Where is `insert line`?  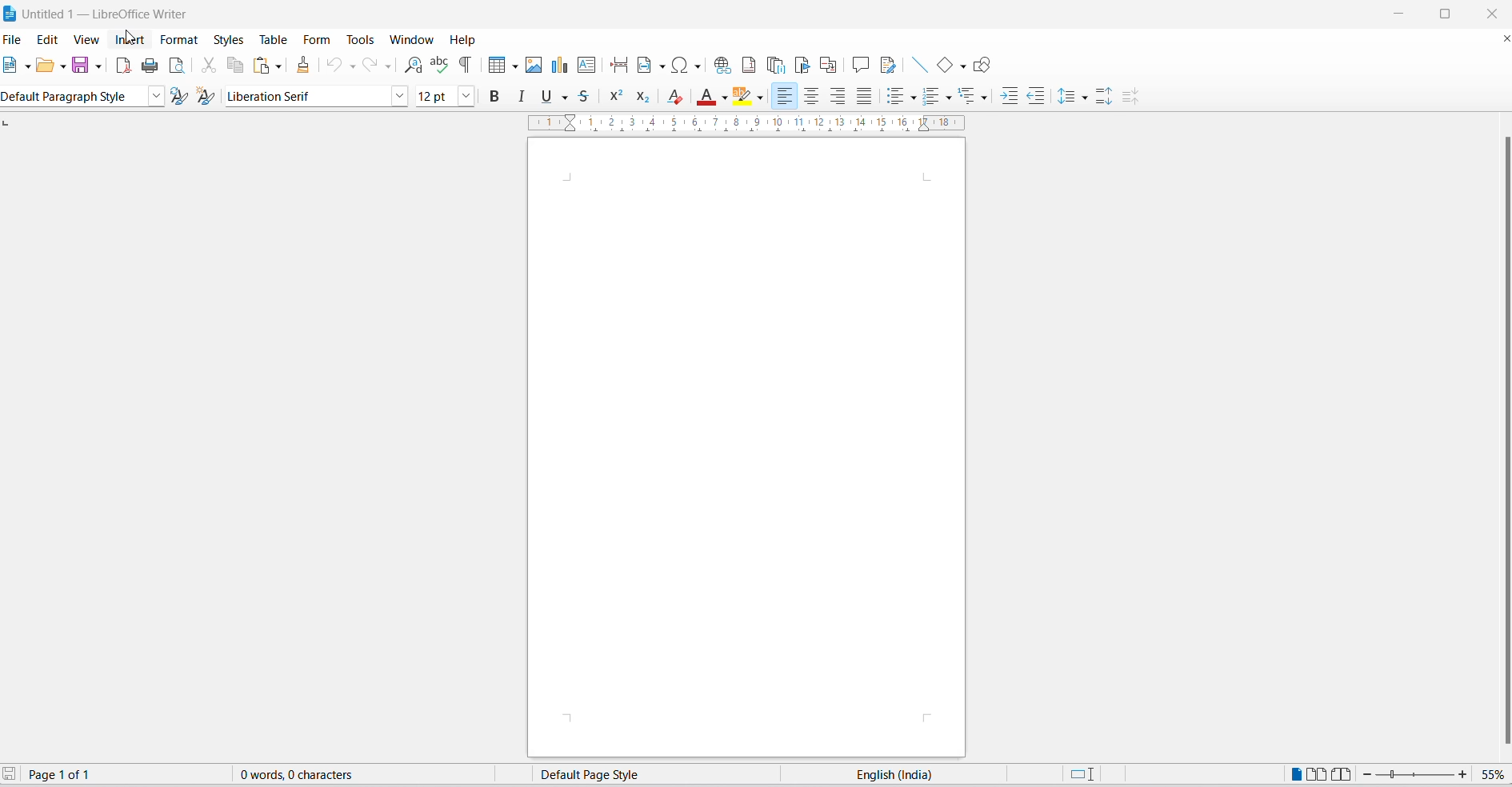 insert line is located at coordinates (919, 63).